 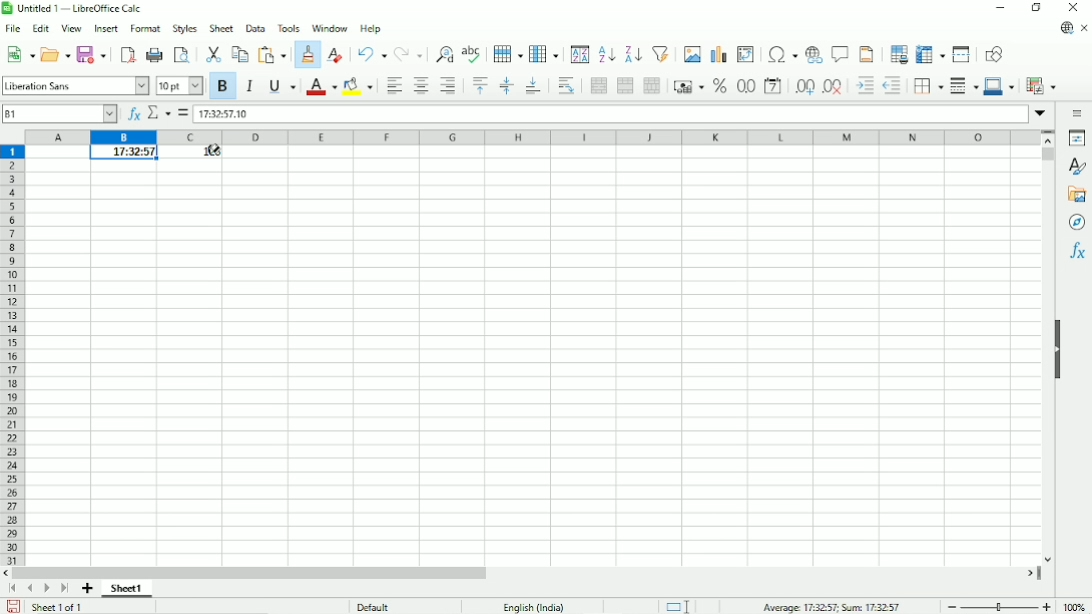 I want to click on Font style, so click(x=76, y=85).